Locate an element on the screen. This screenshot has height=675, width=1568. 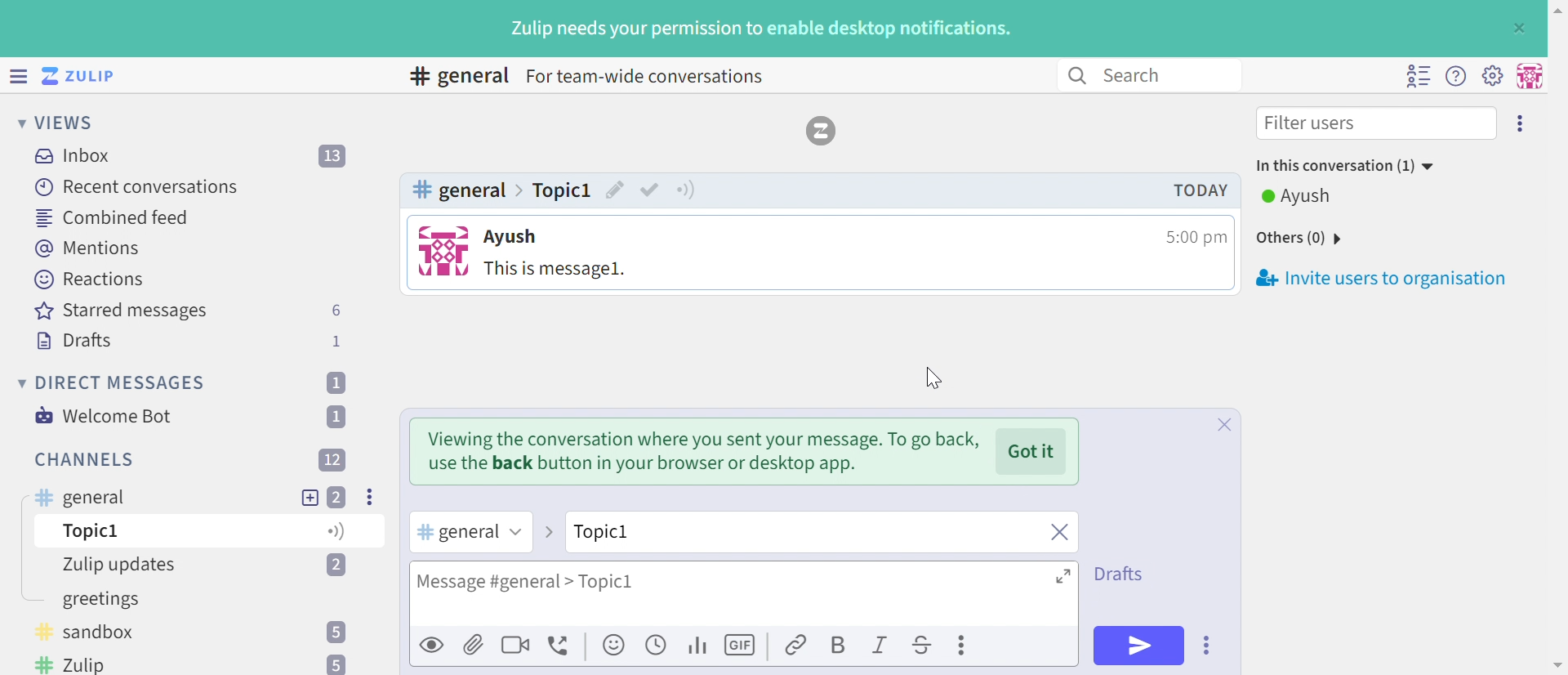
Preview is located at coordinates (433, 644).